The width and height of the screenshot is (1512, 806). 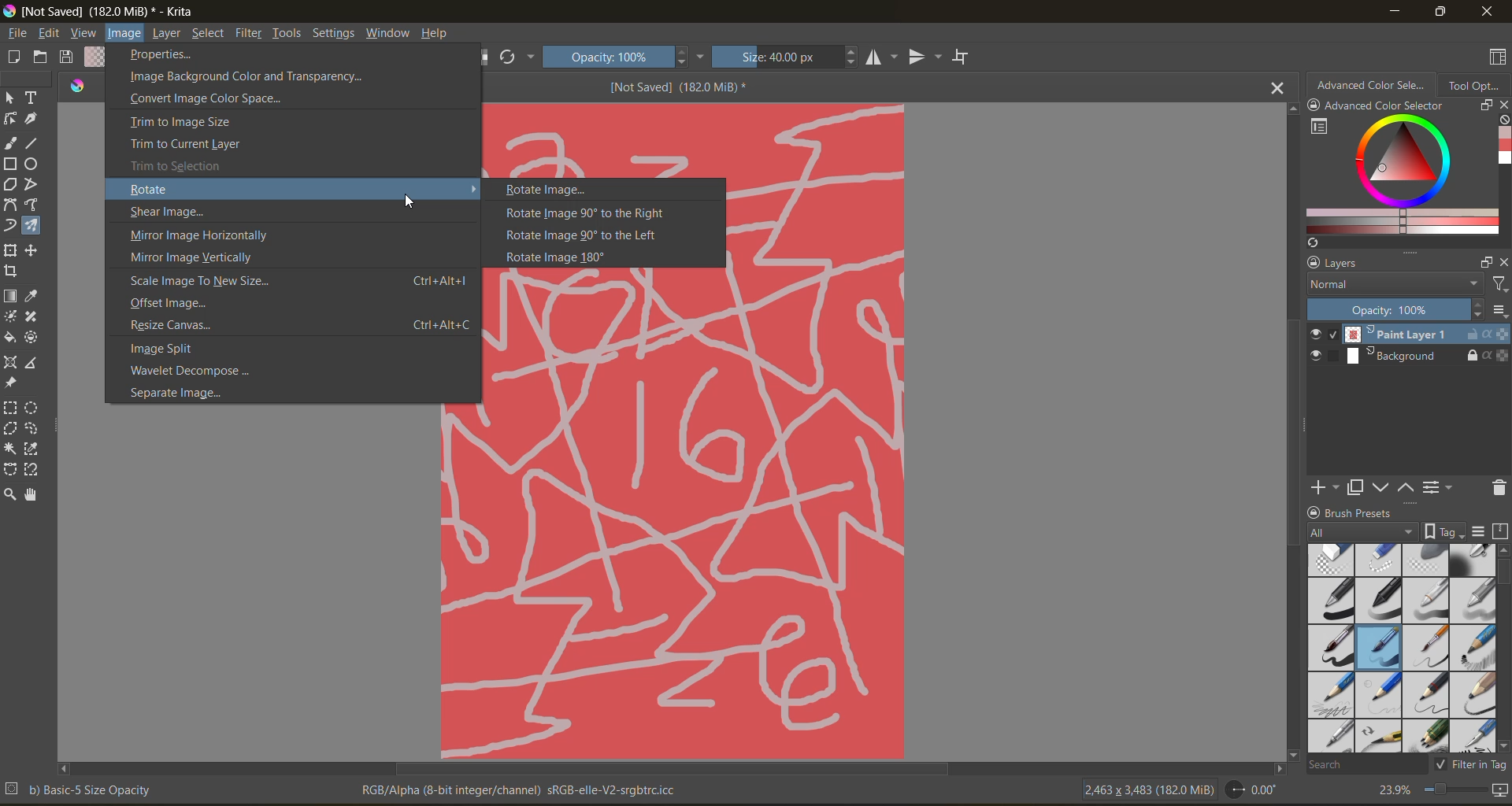 I want to click on edit, so click(x=53, y=34).